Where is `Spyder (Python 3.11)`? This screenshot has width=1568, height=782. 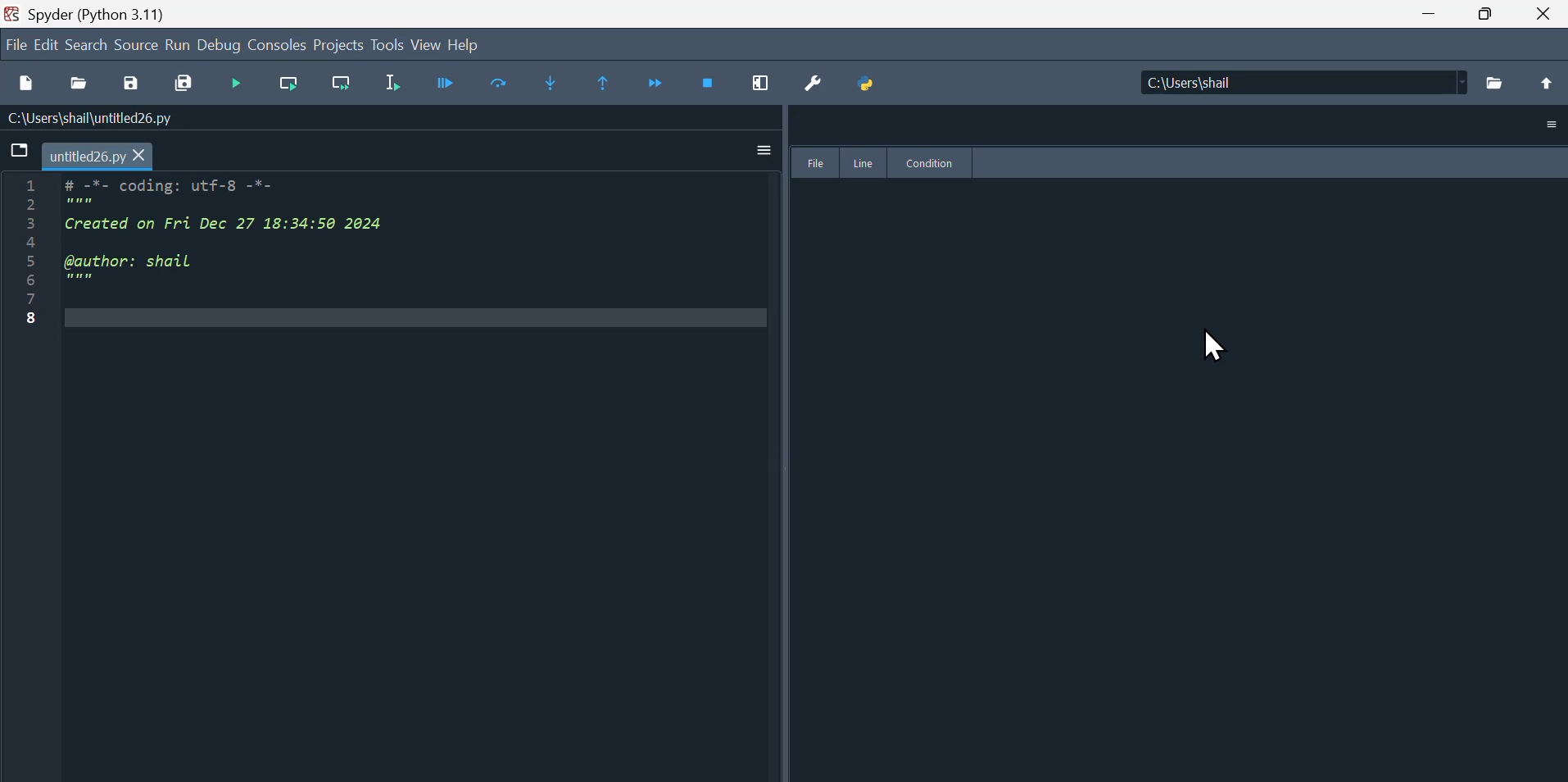 Spyder (Python 3.11) is located at coordinates (97, 14).